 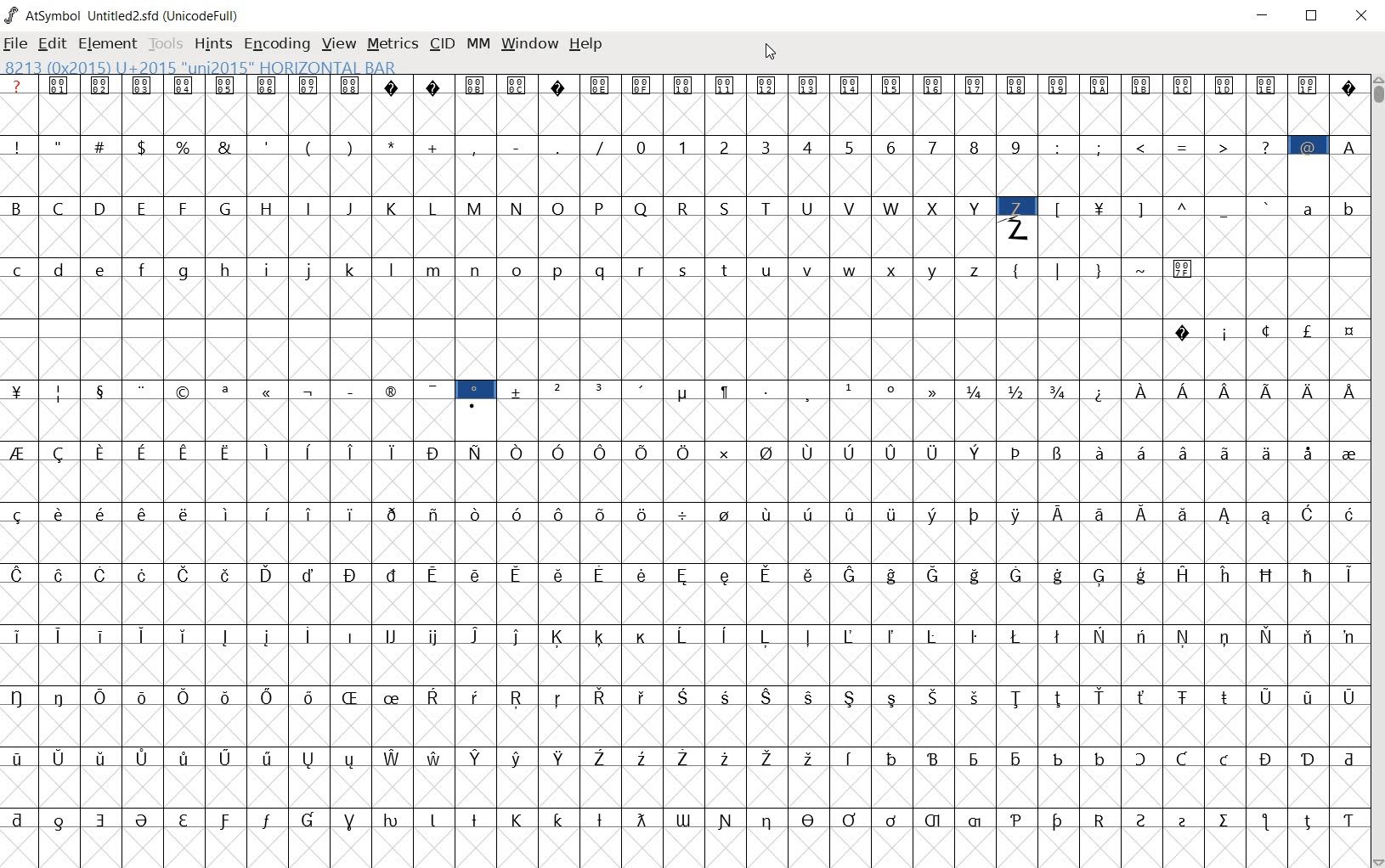 What do you see at coordinates (1314, 17) in the screenshot?
I see `RESTORE DOWN` at bounding box center [1314, 17].